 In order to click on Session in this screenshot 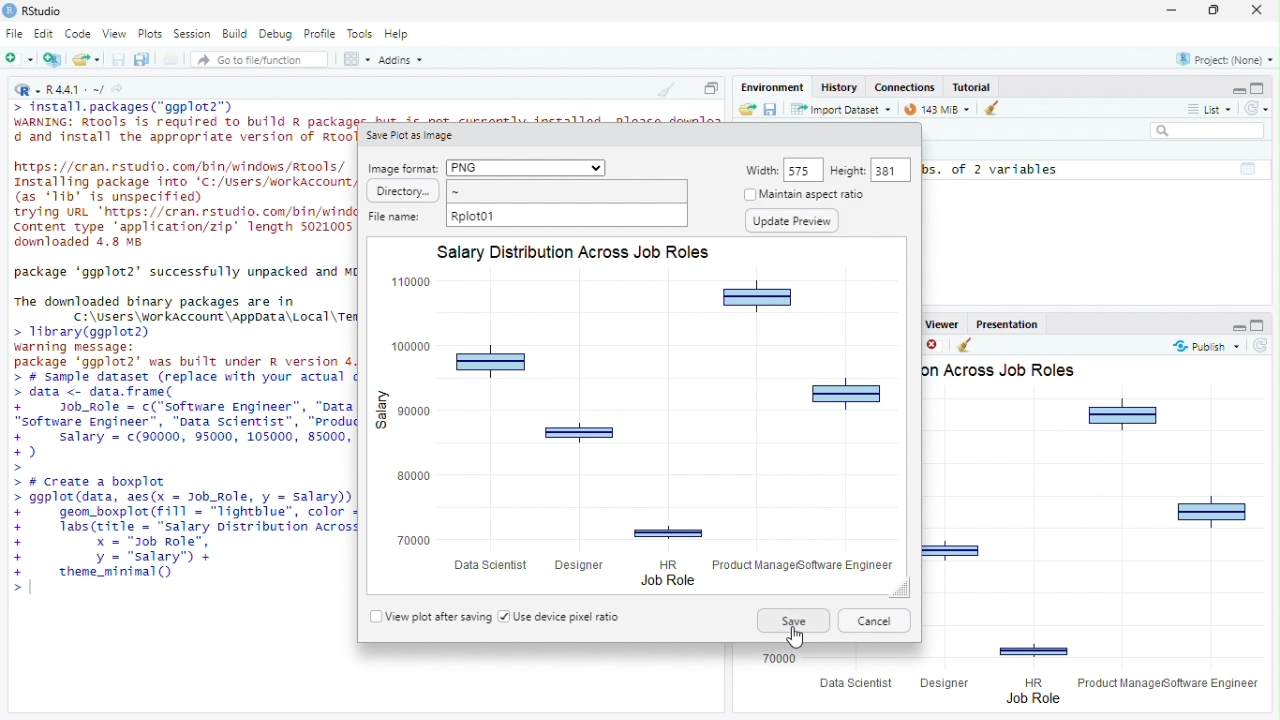, I will do `click(193, 35)`.